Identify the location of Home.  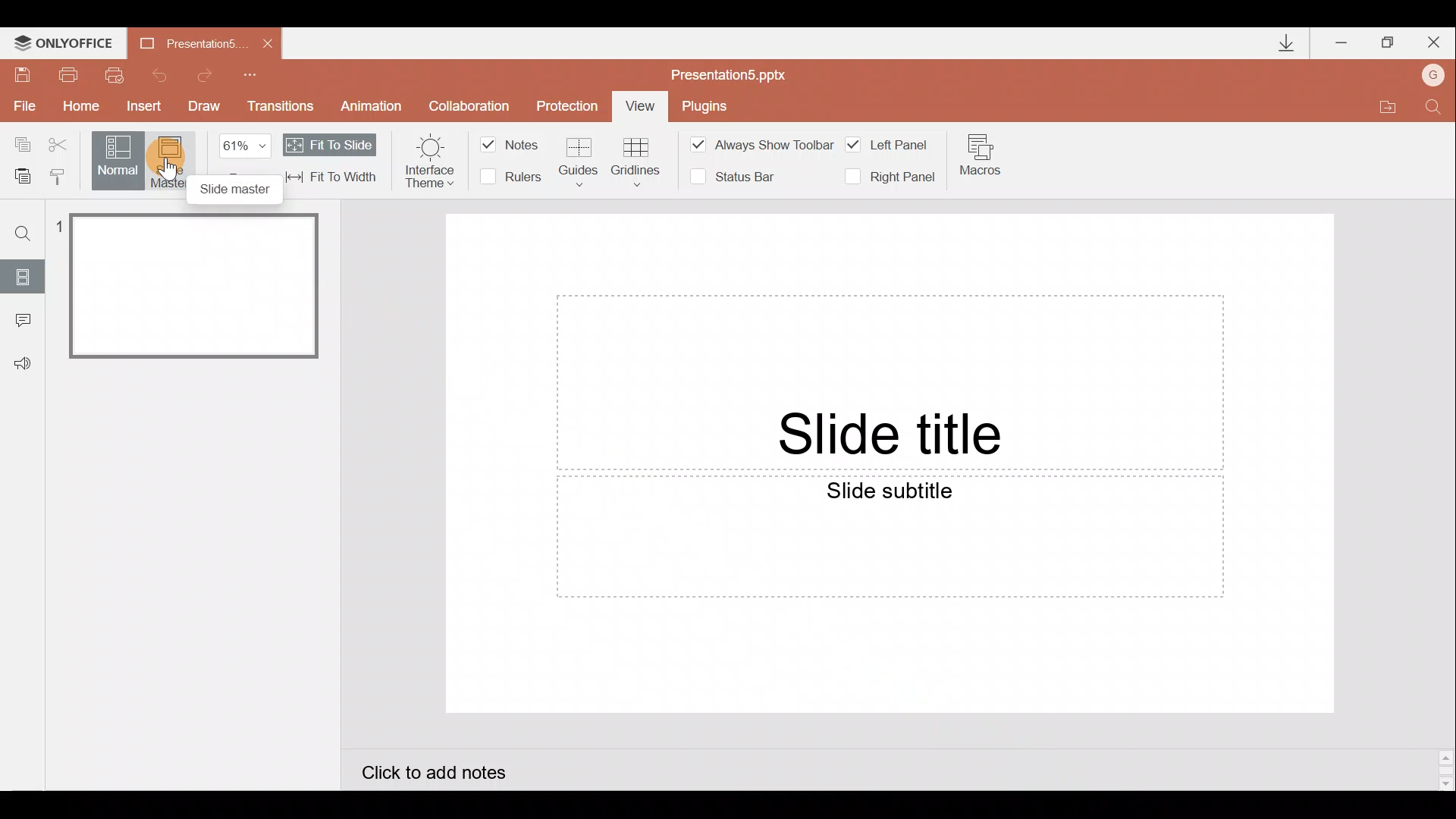
(83, 110).